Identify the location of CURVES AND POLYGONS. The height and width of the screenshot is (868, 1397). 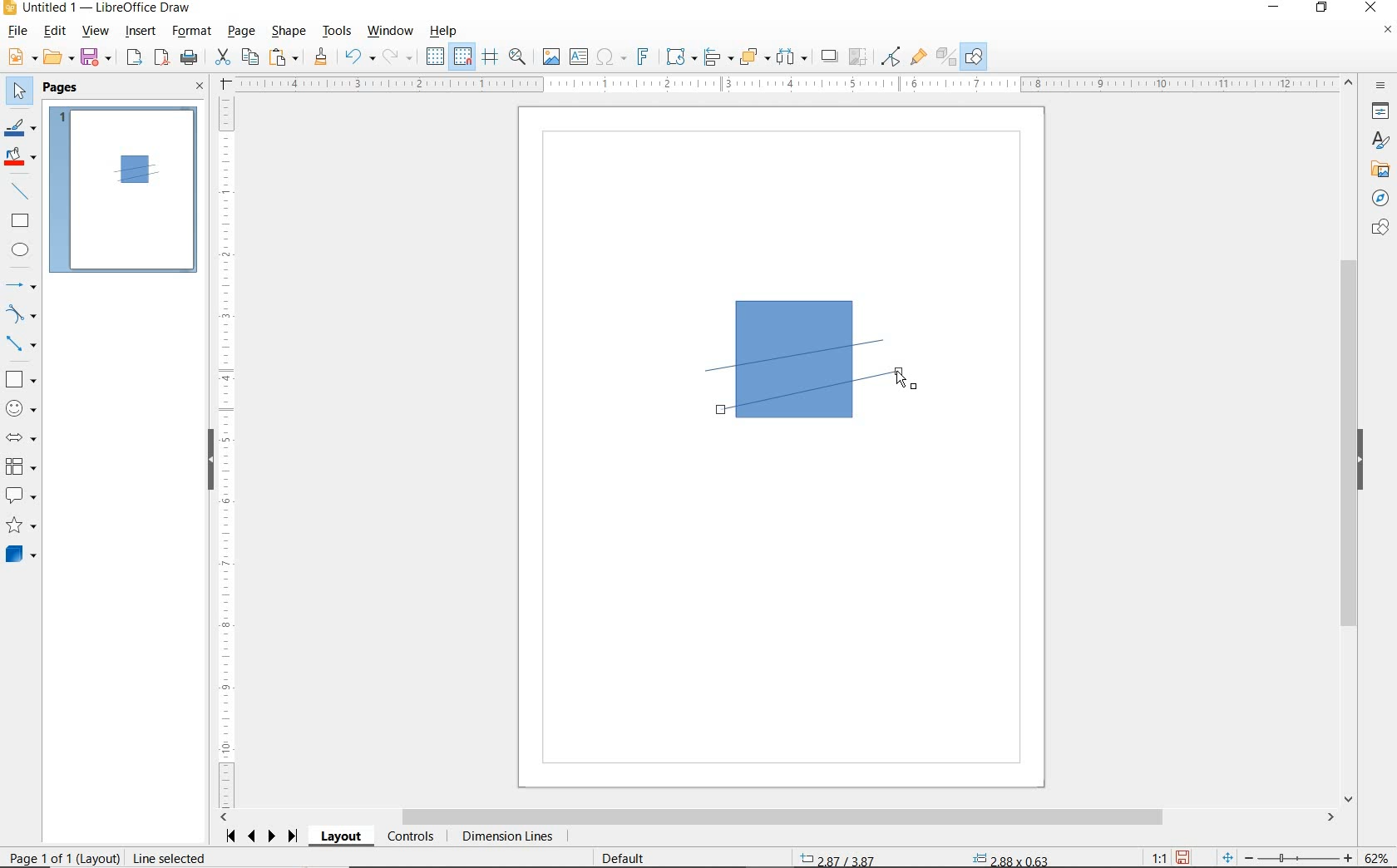
(22, 313).